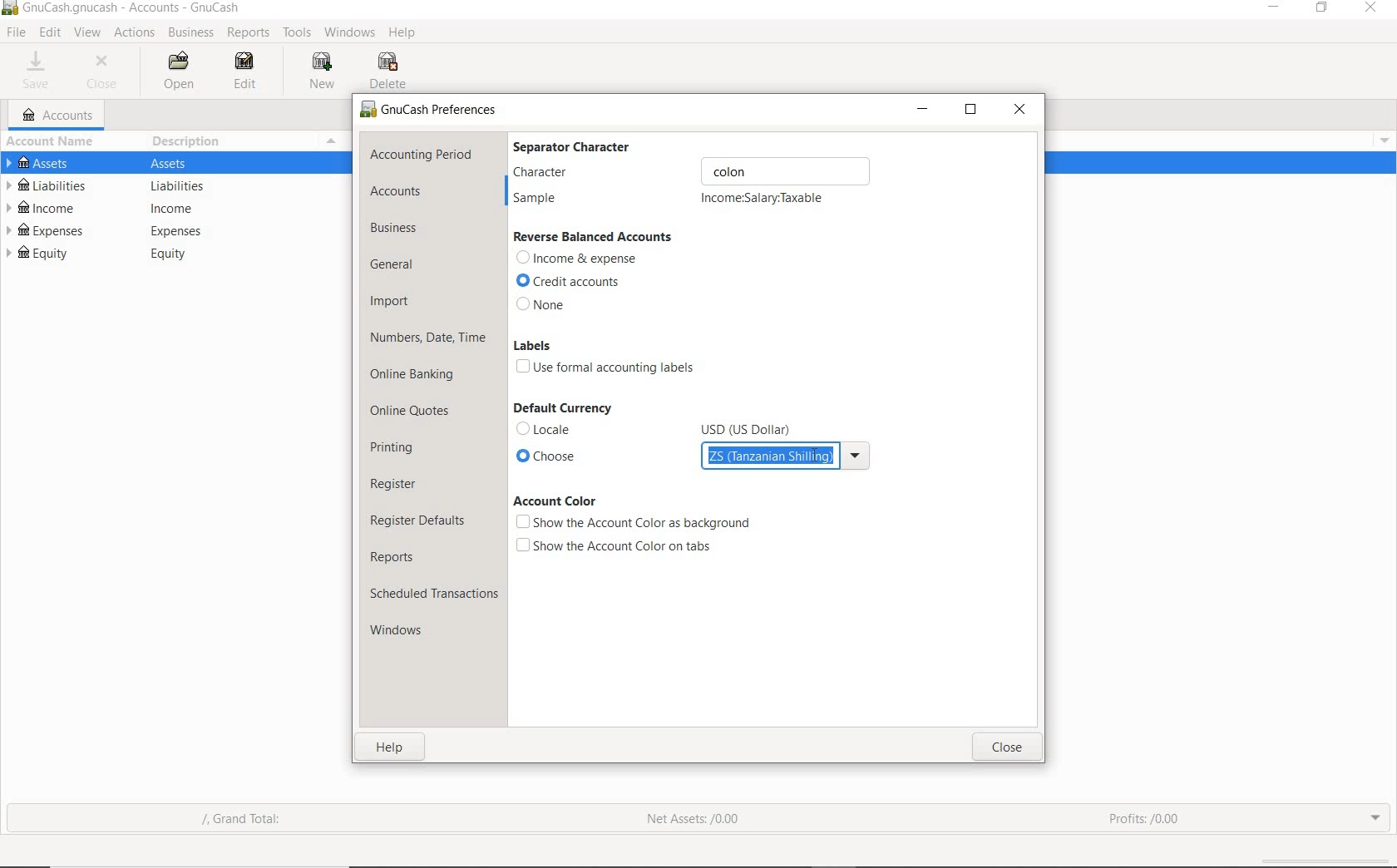 The height and width of the screenshot is (868, 1397). What do you see at coordinates (616, 545) in the screenshot?
I see `show the account color on tabs` at bounding box center [616, 545].